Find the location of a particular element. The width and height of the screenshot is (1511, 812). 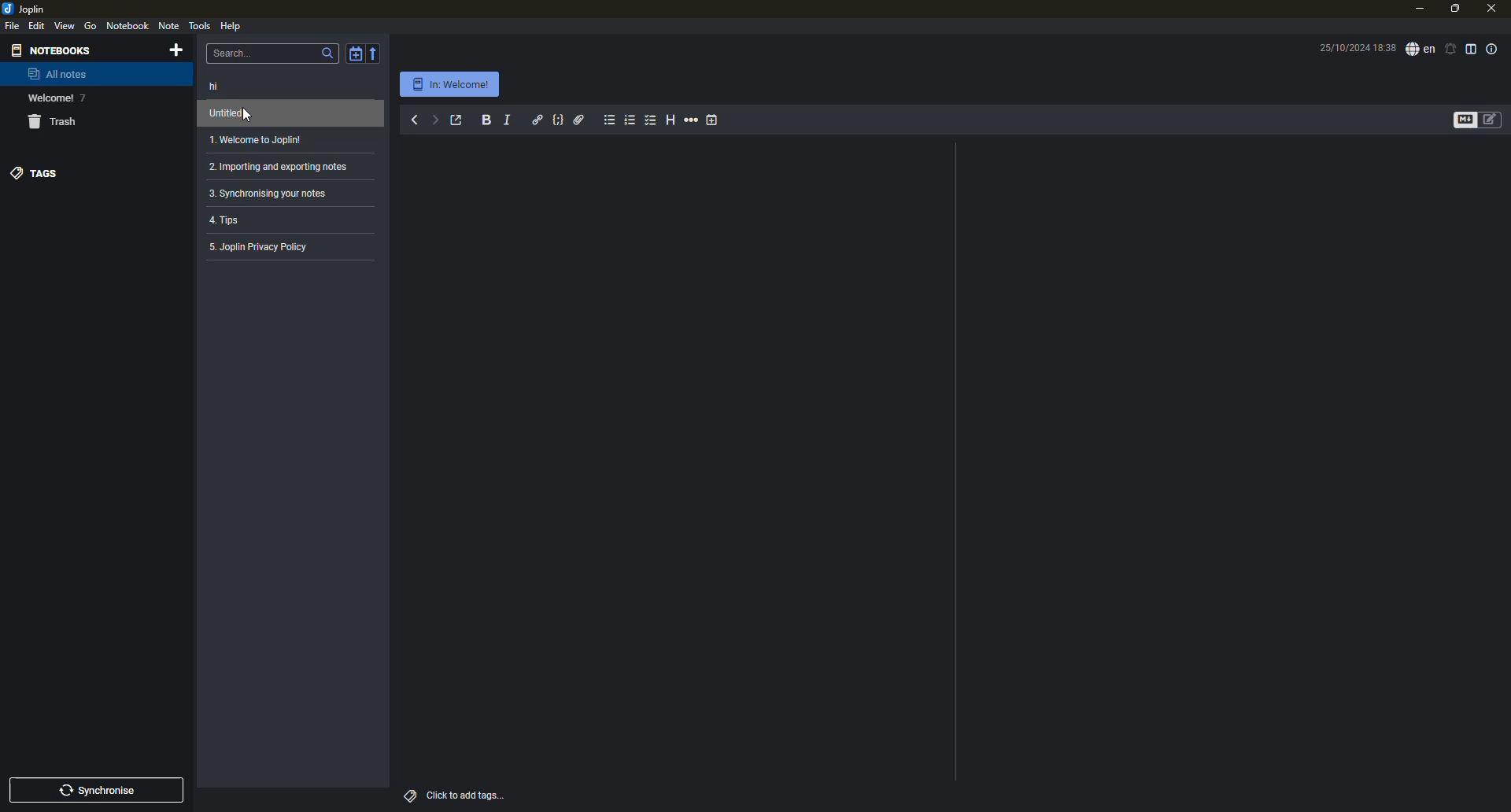

1. Welcome to Joplin! is located at coordinates (258, 140).